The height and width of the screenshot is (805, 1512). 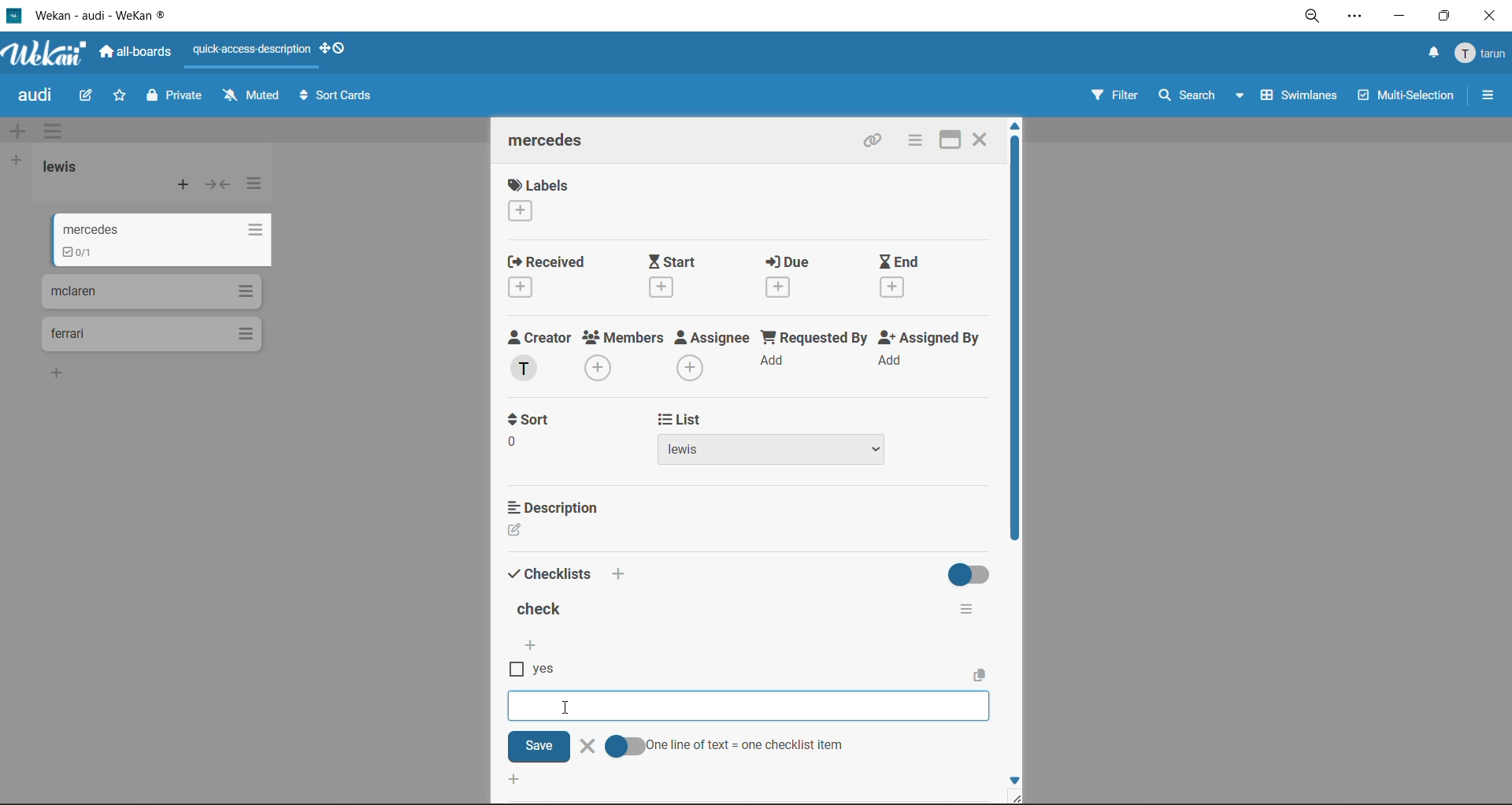 I want to click on card actions, so click(x=912, y=142).